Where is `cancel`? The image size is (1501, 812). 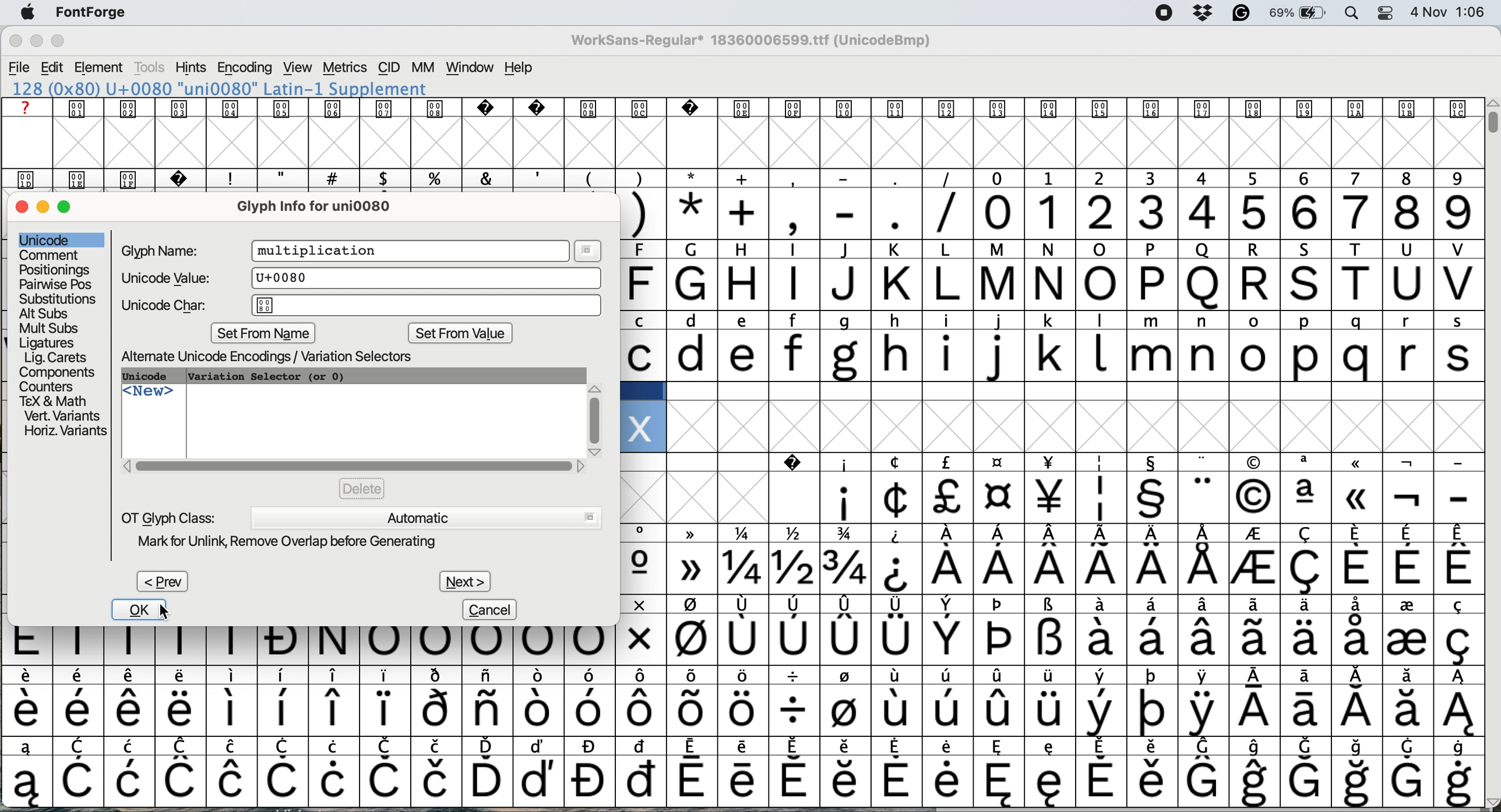
cancel is located at coordinates (492, 609).